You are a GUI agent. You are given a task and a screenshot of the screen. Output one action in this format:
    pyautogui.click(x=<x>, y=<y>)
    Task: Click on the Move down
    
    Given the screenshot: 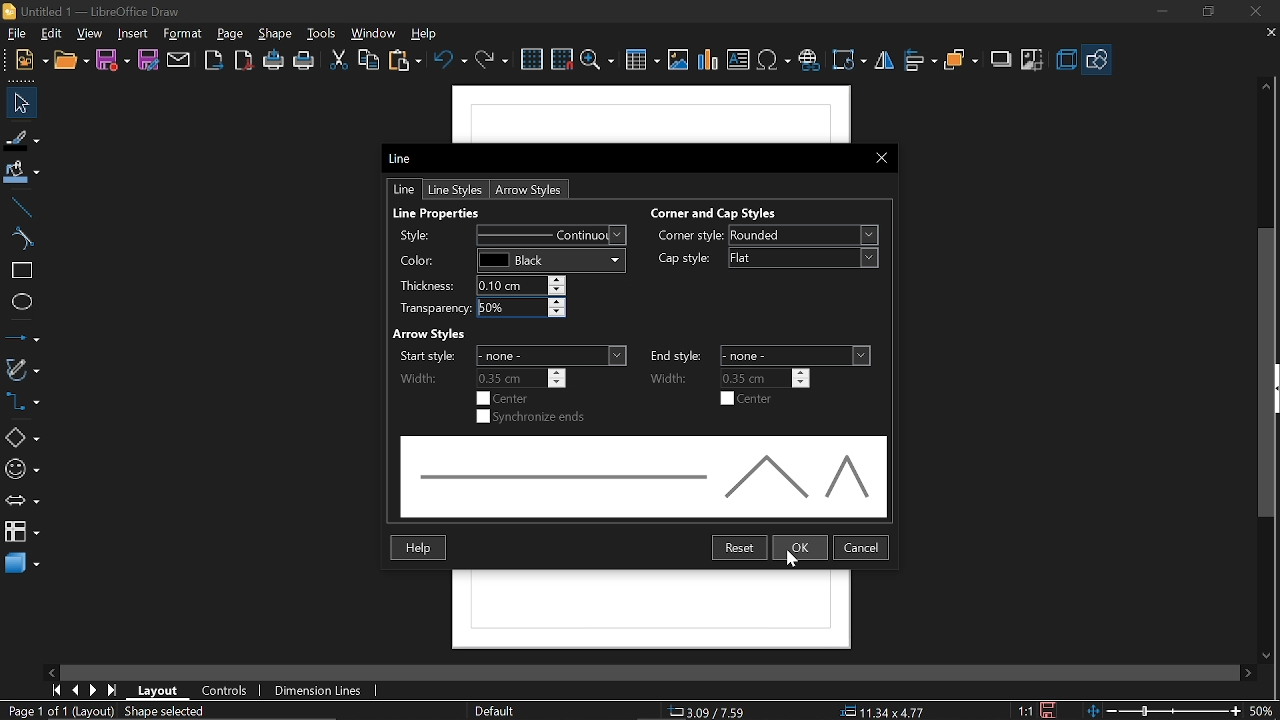 What is the action you would take?
    pyautogui.click(x=1267, y=652)
    